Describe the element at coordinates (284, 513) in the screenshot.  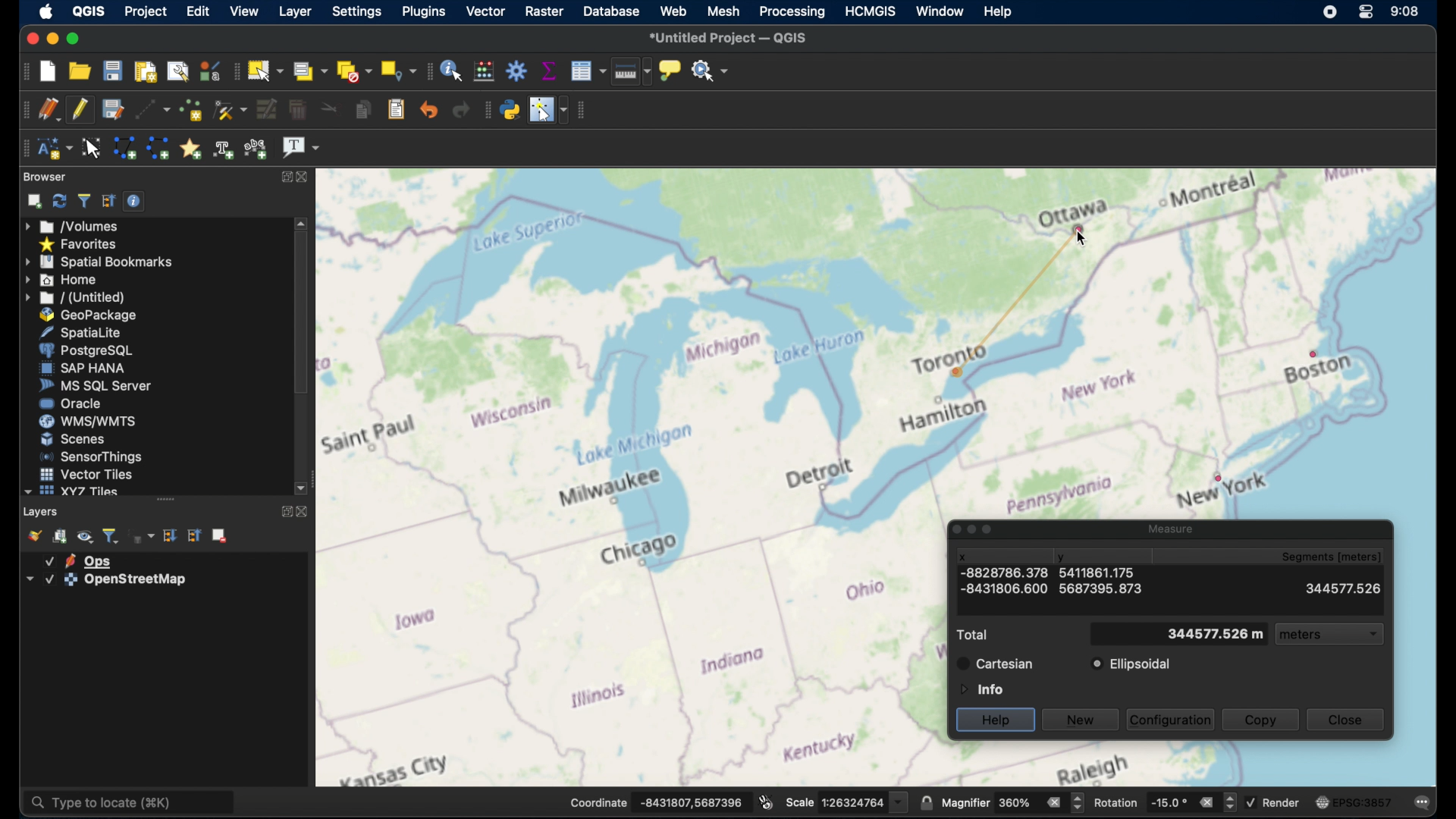
I see `maximize` at that location.